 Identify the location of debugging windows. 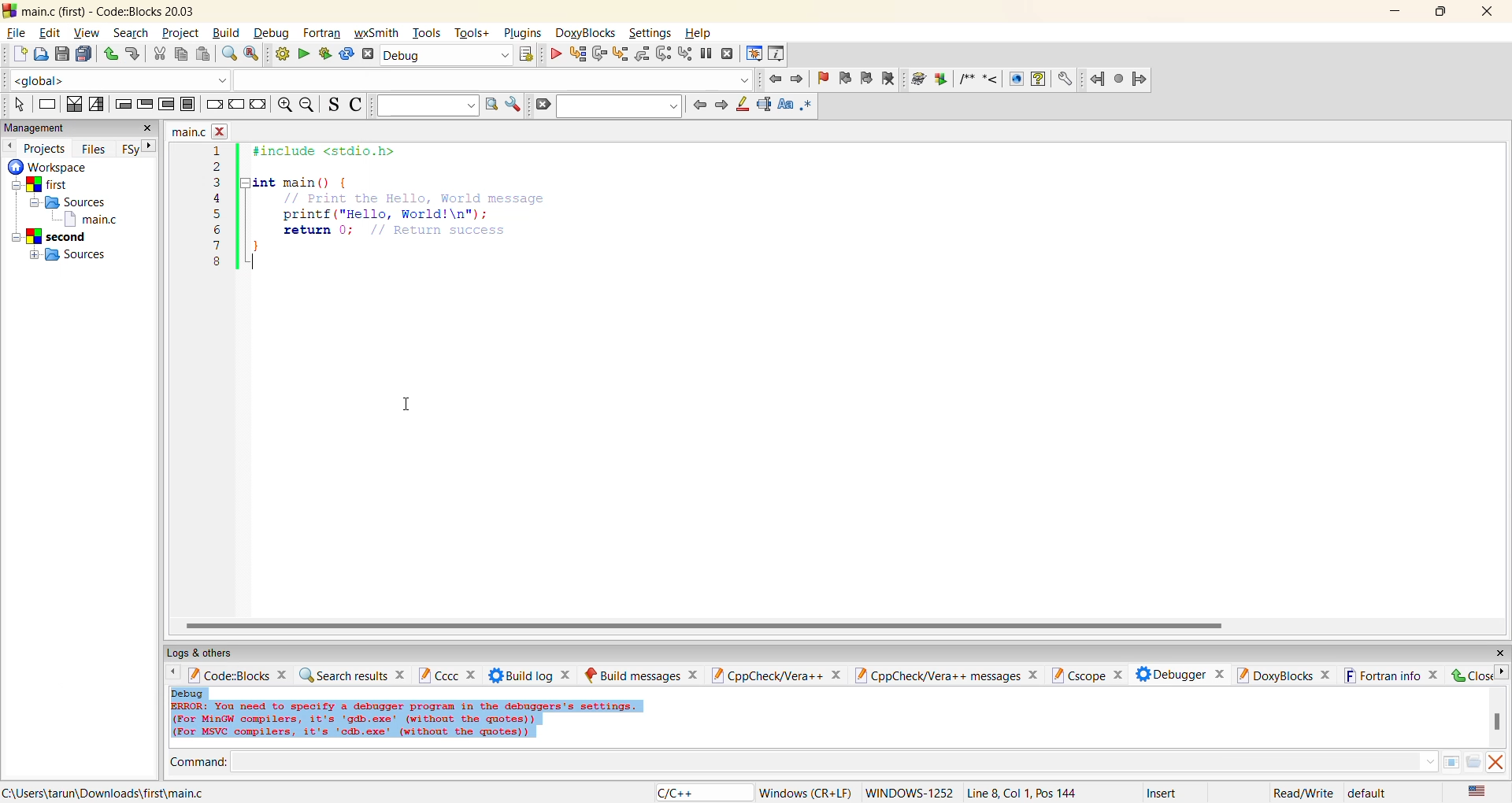
(754, 55).